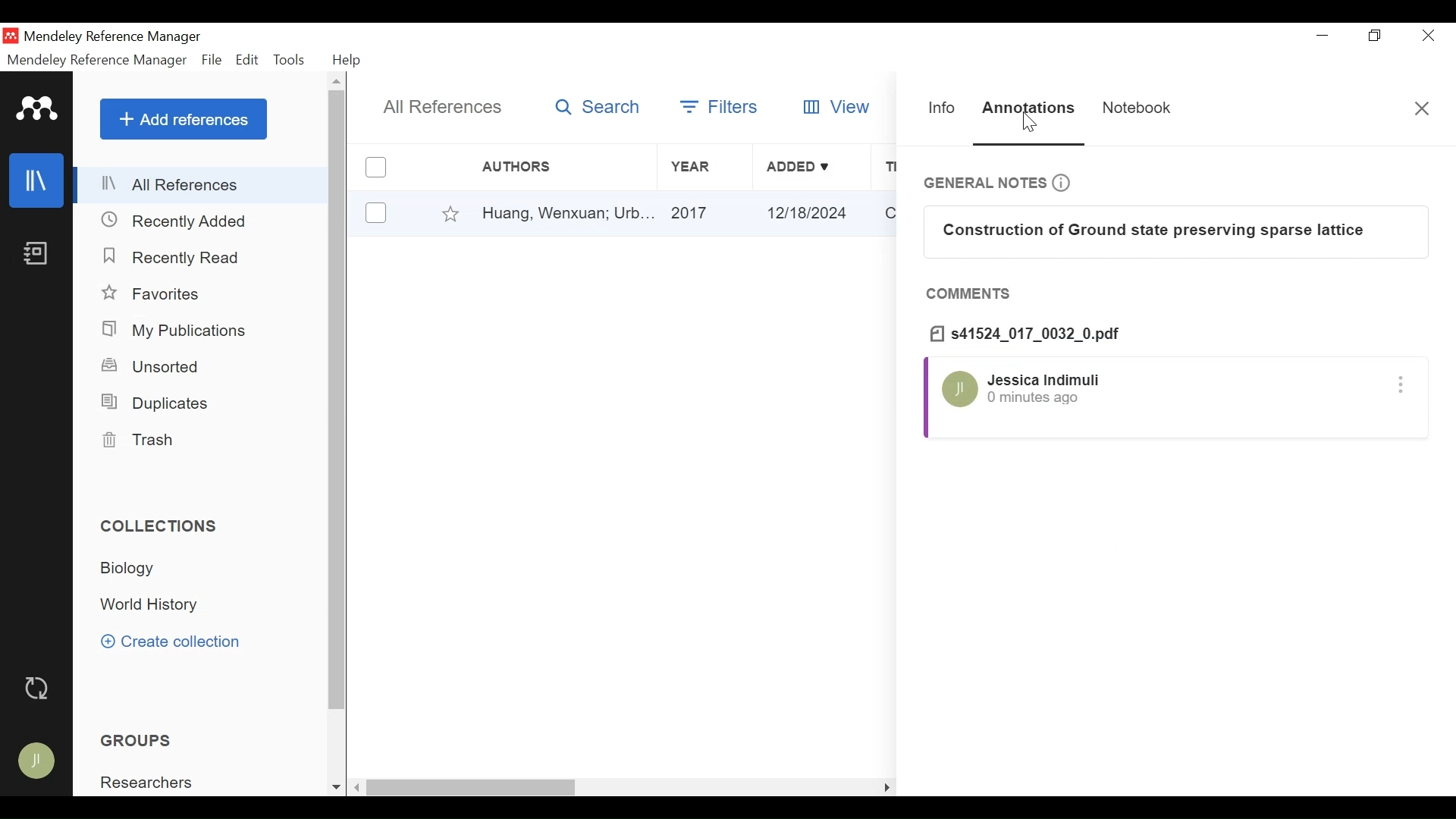 The image size is (1456, 819). I want to click on Create Collection, so click(176, 642).